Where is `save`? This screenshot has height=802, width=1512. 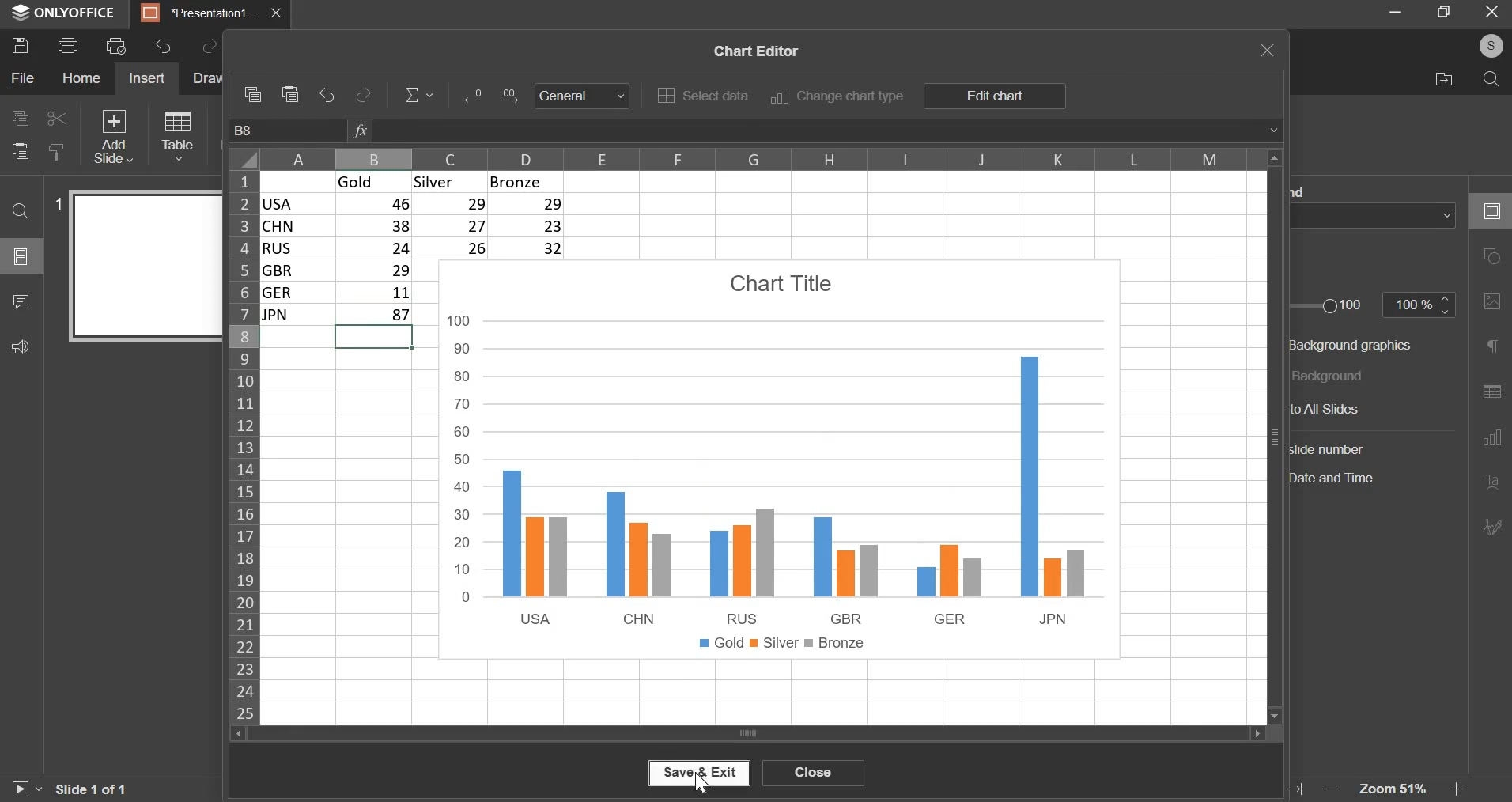 save is located at coordinates (20, 46).